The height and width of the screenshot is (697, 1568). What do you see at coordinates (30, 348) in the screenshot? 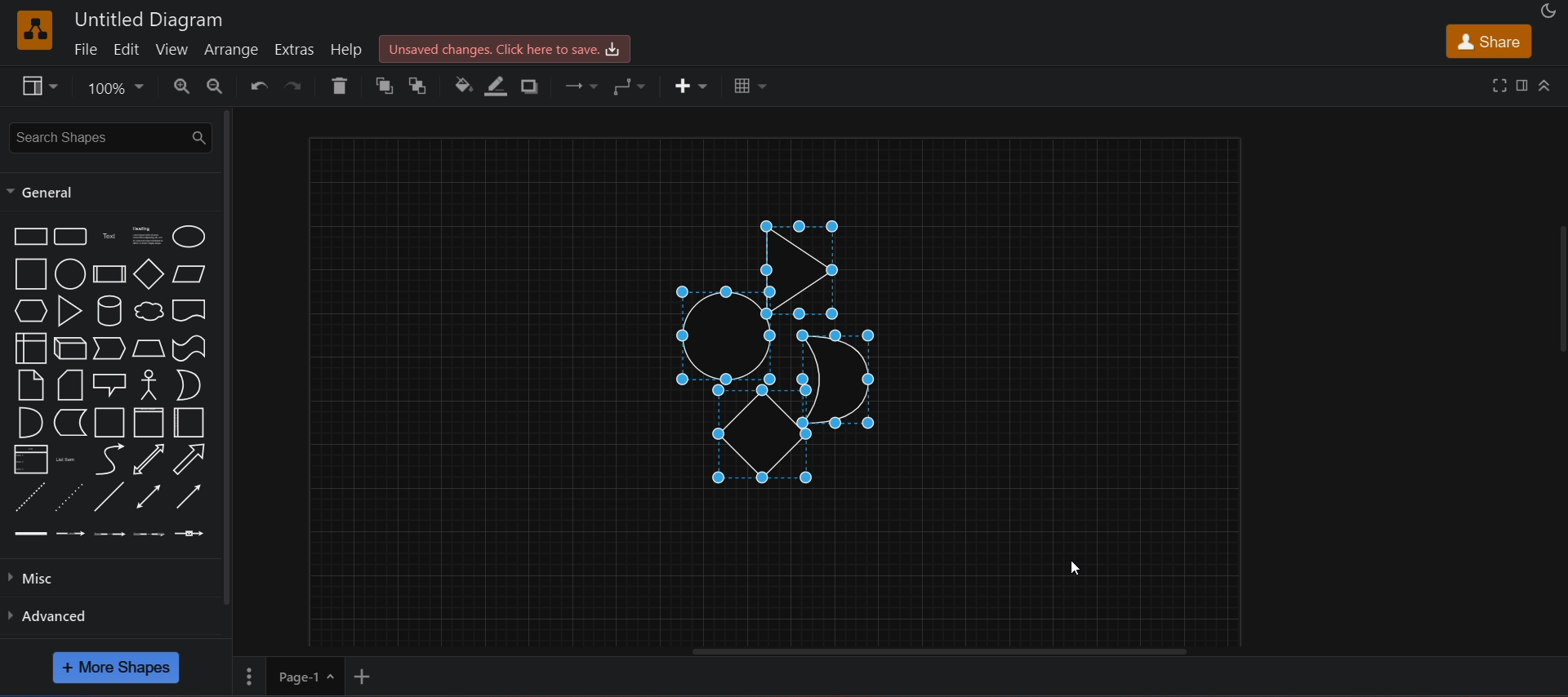
I see `internal storage` at bounding box center [30, 348].